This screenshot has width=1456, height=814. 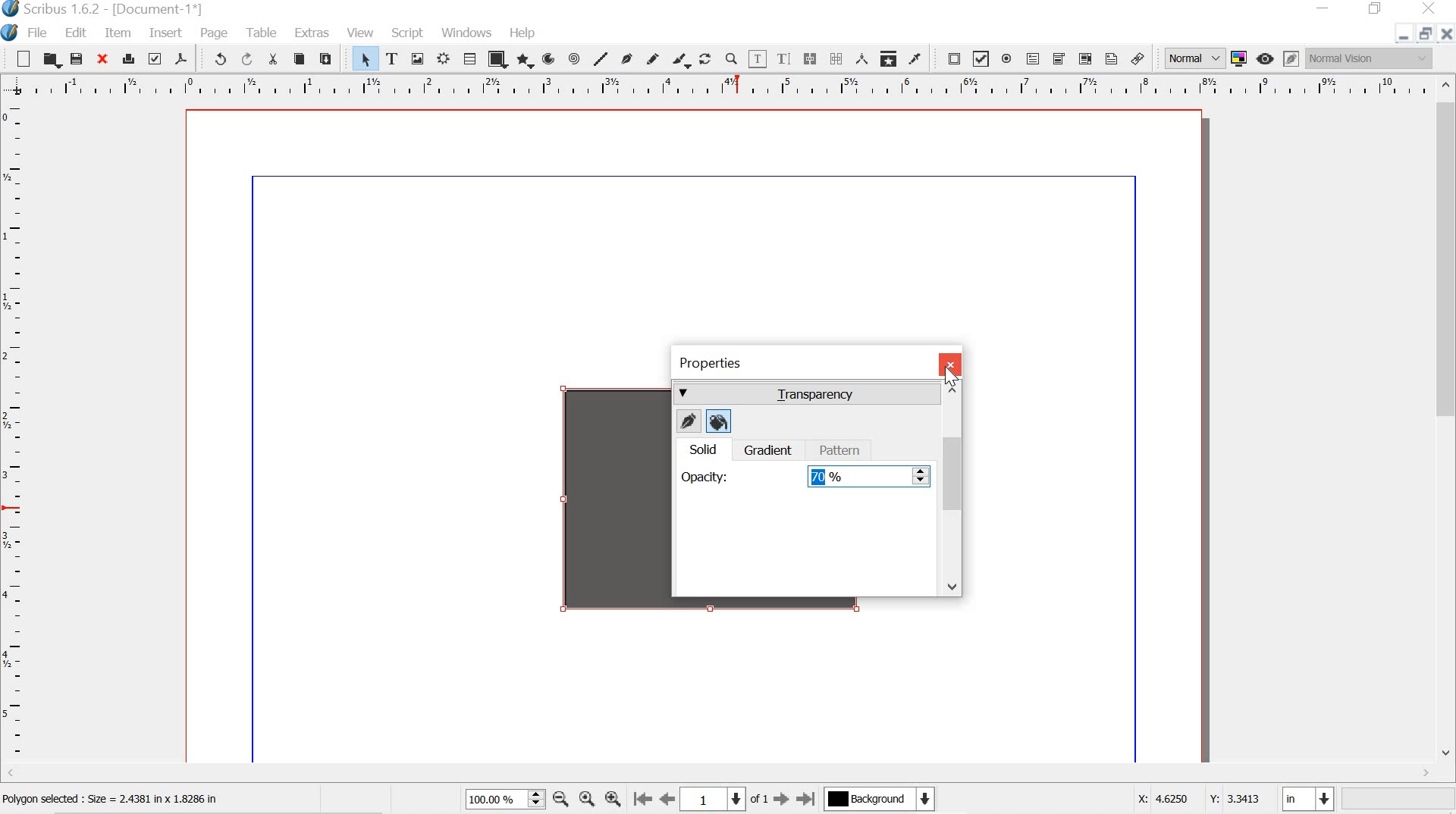 What do you see at coordinates (363, 58) in the screenshot?
I see `select item` at bounding box center [363, 58].